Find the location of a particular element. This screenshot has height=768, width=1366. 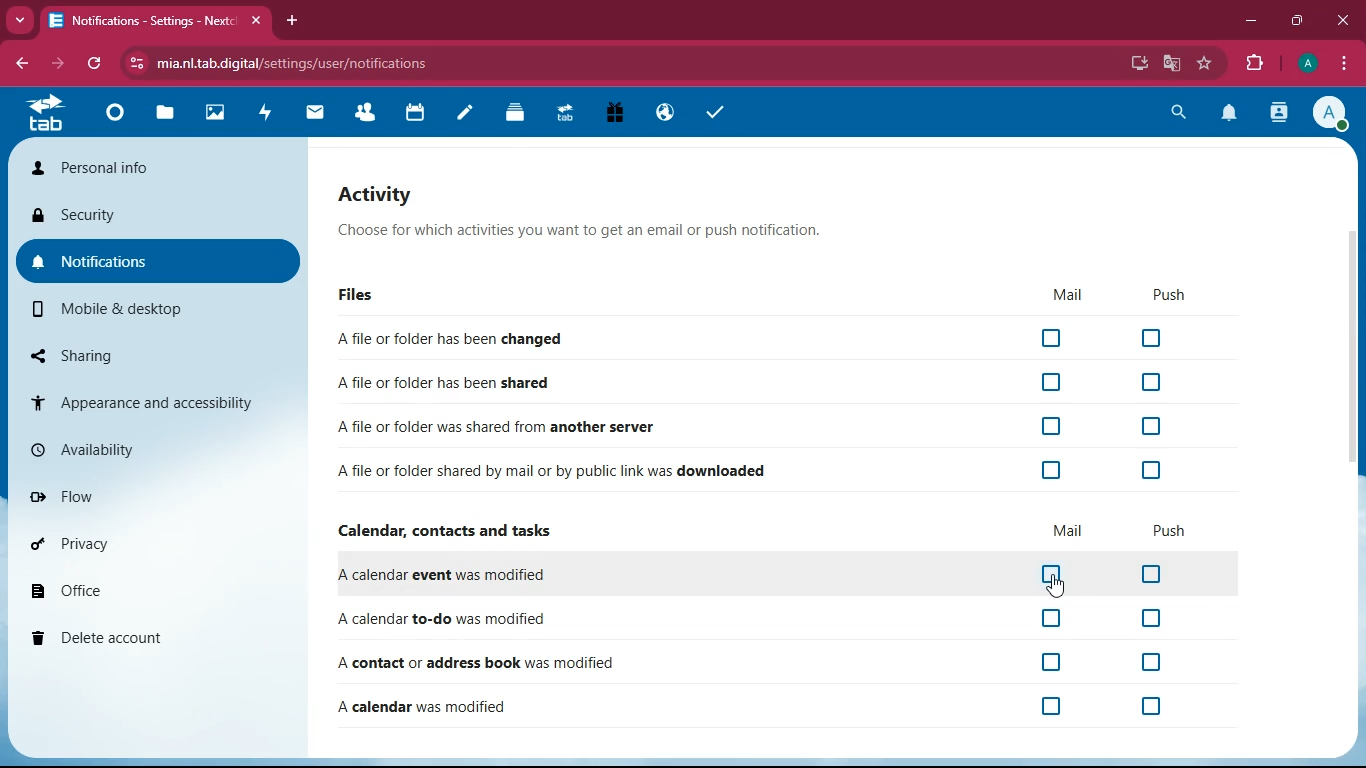

delete account is located at coordinates (151, 637).